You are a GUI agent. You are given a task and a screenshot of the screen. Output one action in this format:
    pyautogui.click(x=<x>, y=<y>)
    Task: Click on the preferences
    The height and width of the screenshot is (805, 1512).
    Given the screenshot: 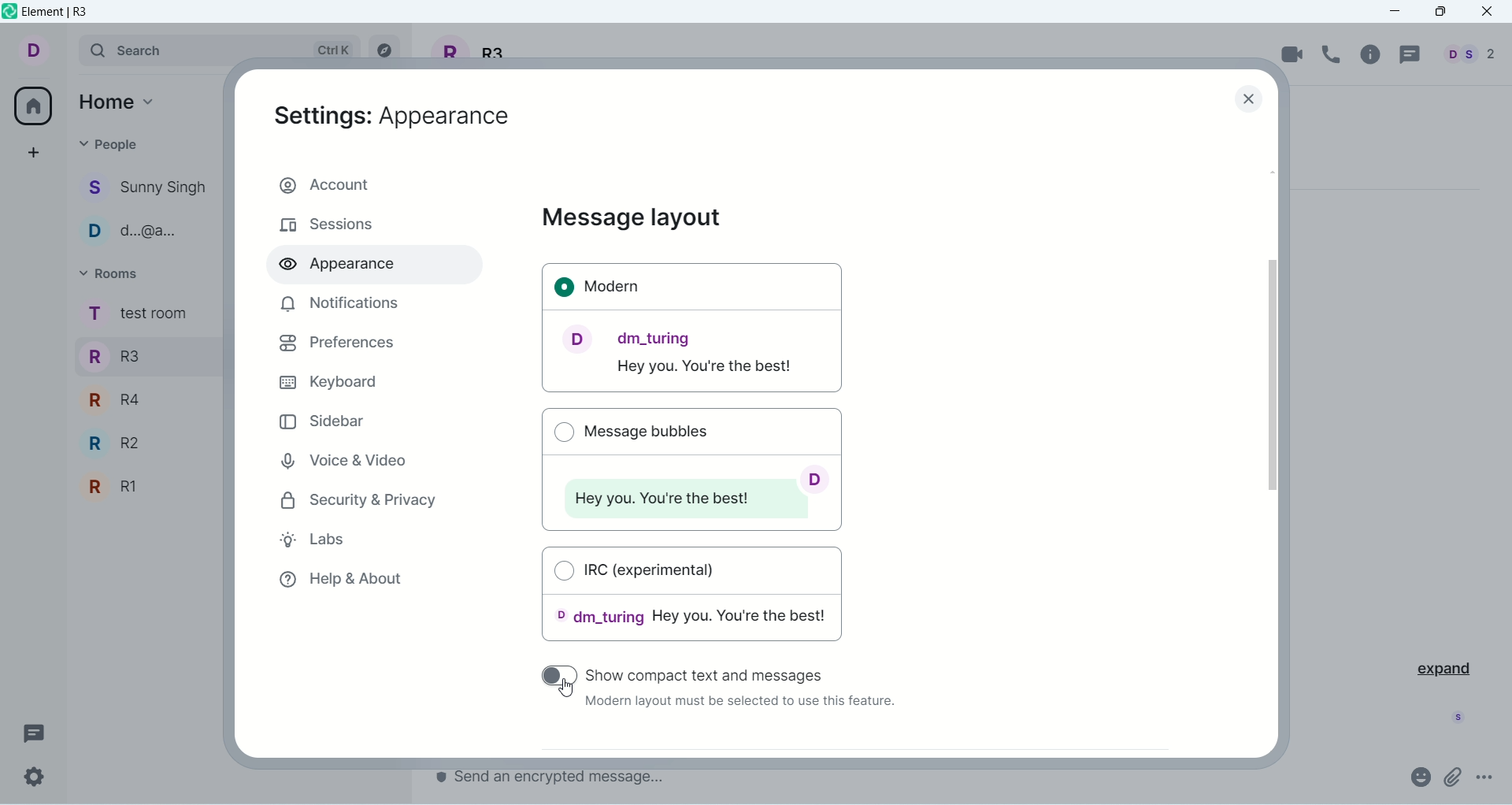 What is the action you would take?
    pyautogui.click(x=337, y=343)
    